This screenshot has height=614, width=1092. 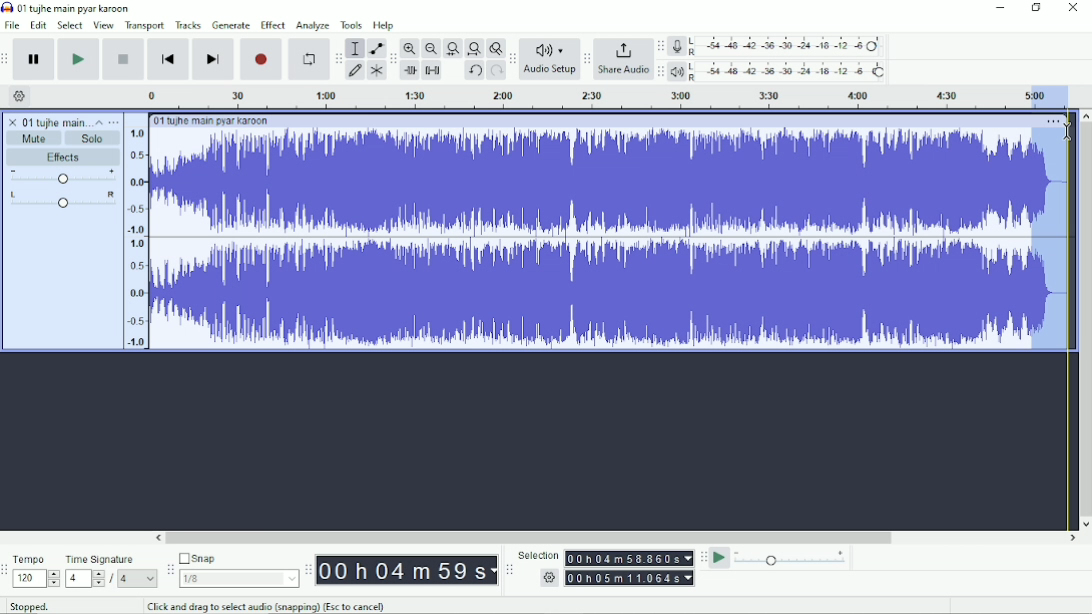 What do you see at coordinates (354, 70) in the screenshot?
I see `Draw tool` at bounding box center [354, 70].